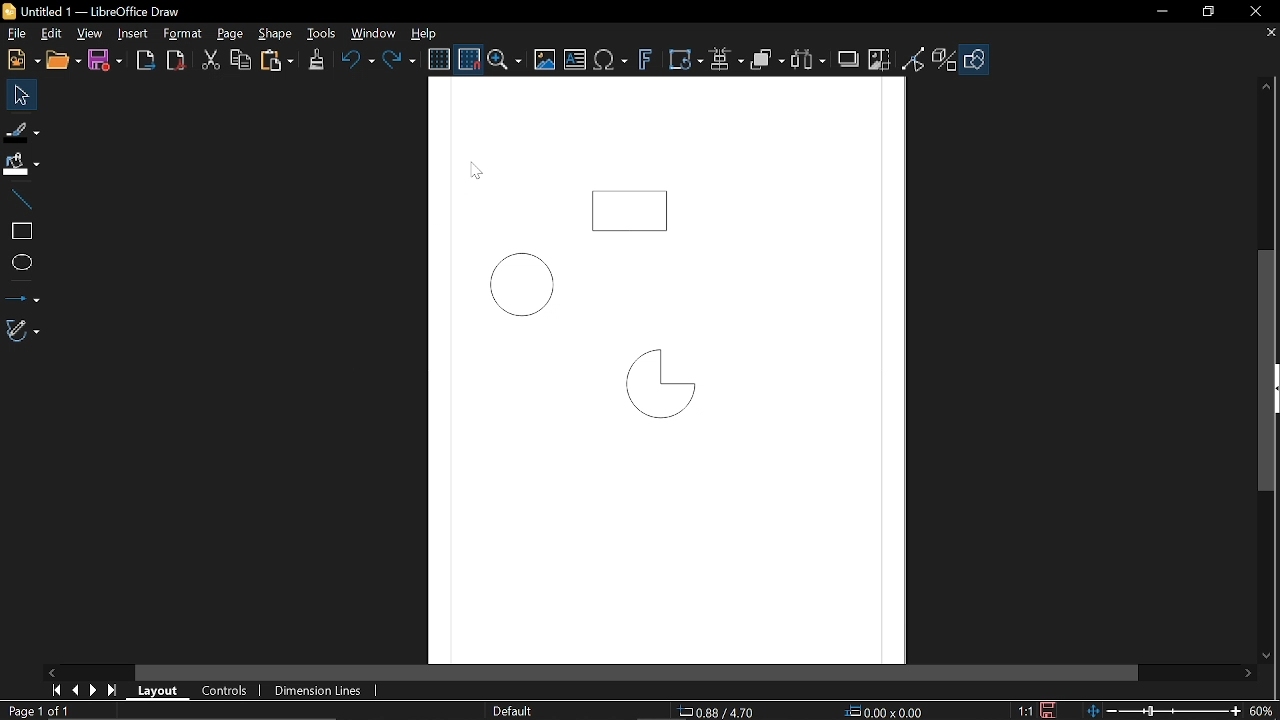  I want to click on Close tab, so click(1269, 34).